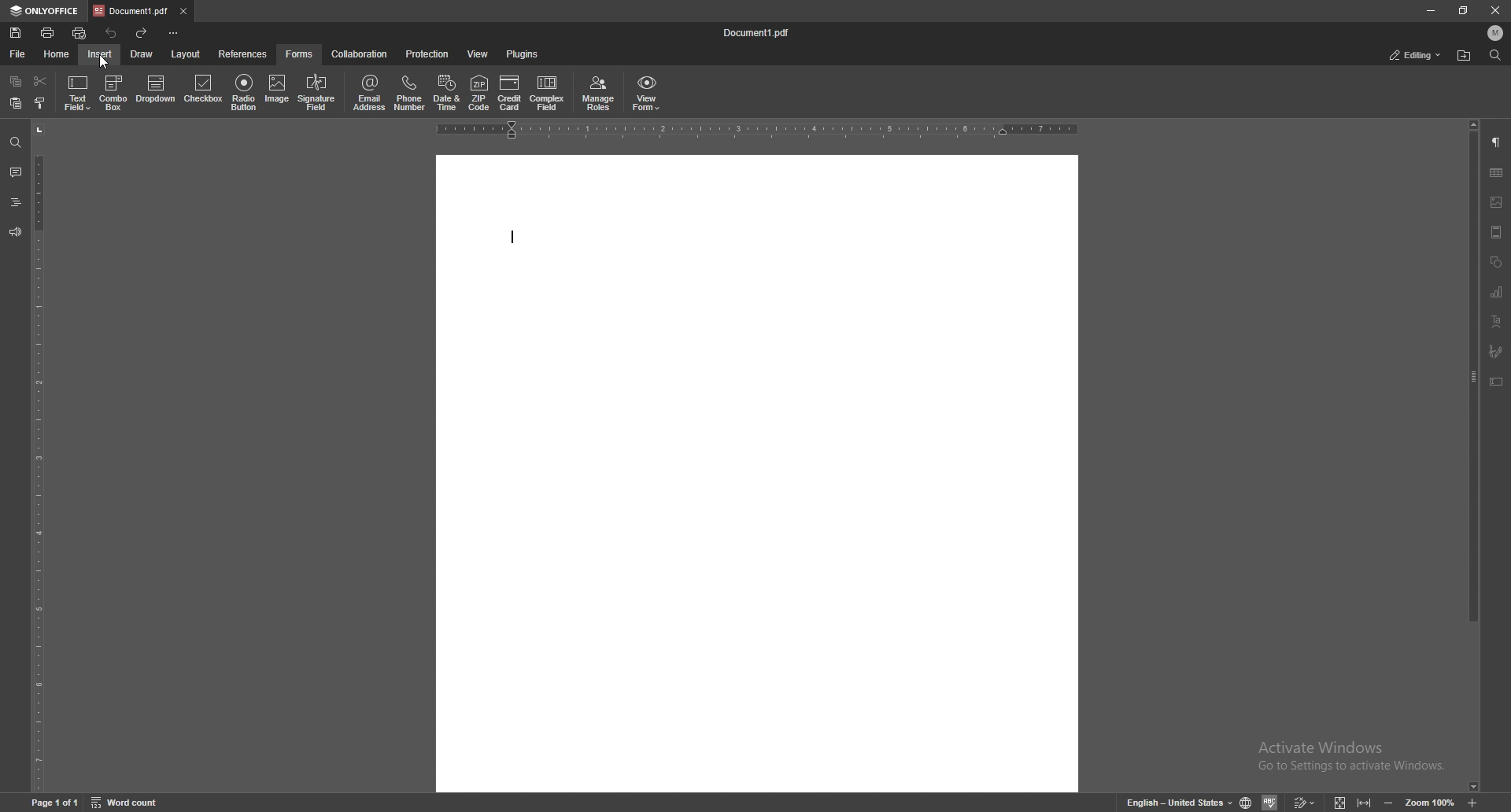 Image resolution: width=1511 pixels, height=812 pixels. I want to click on combo box, so click(113, 94).